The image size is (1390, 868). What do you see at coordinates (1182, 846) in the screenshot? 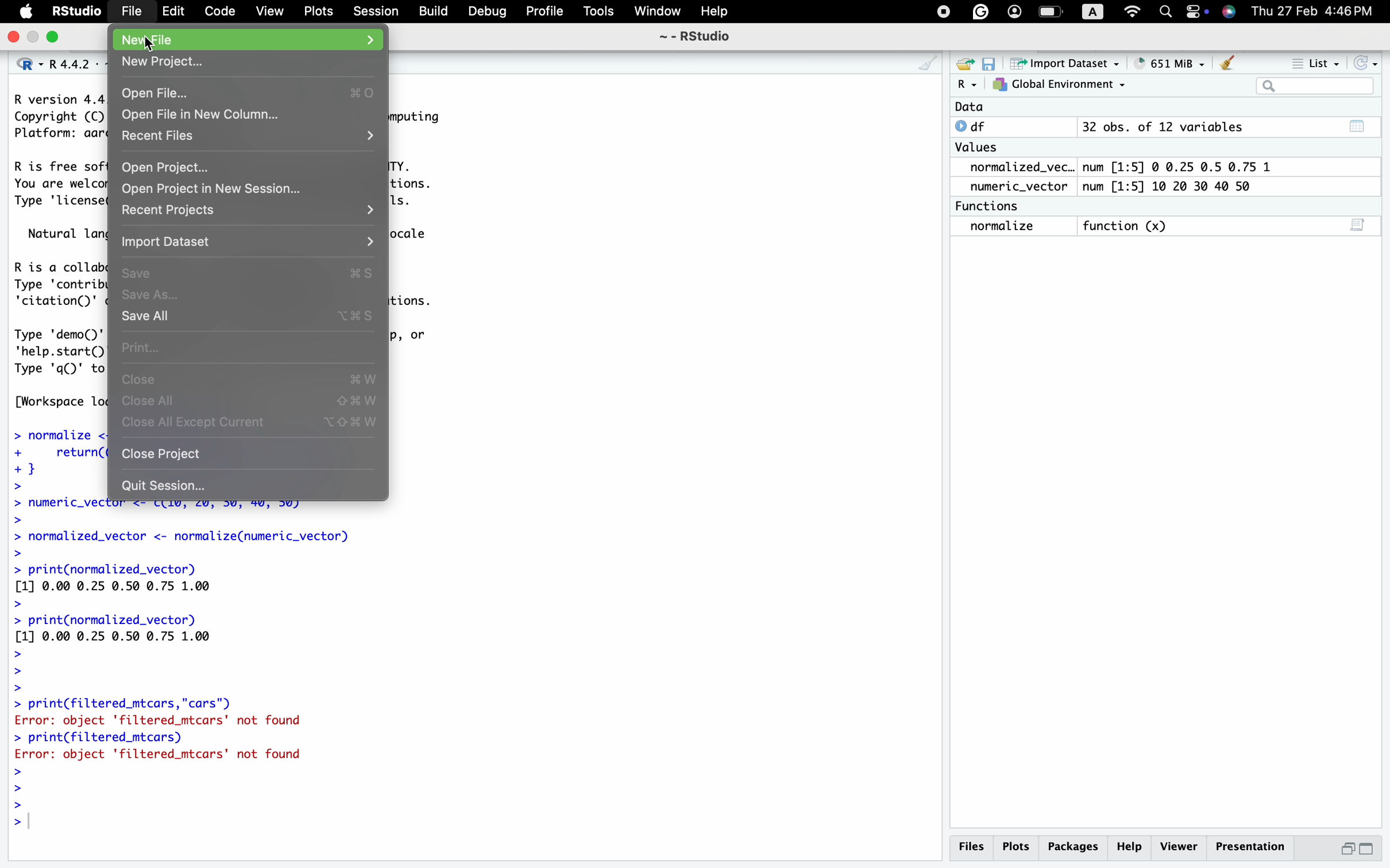
I see `p Viewer` at bounding box center [1182, 846].